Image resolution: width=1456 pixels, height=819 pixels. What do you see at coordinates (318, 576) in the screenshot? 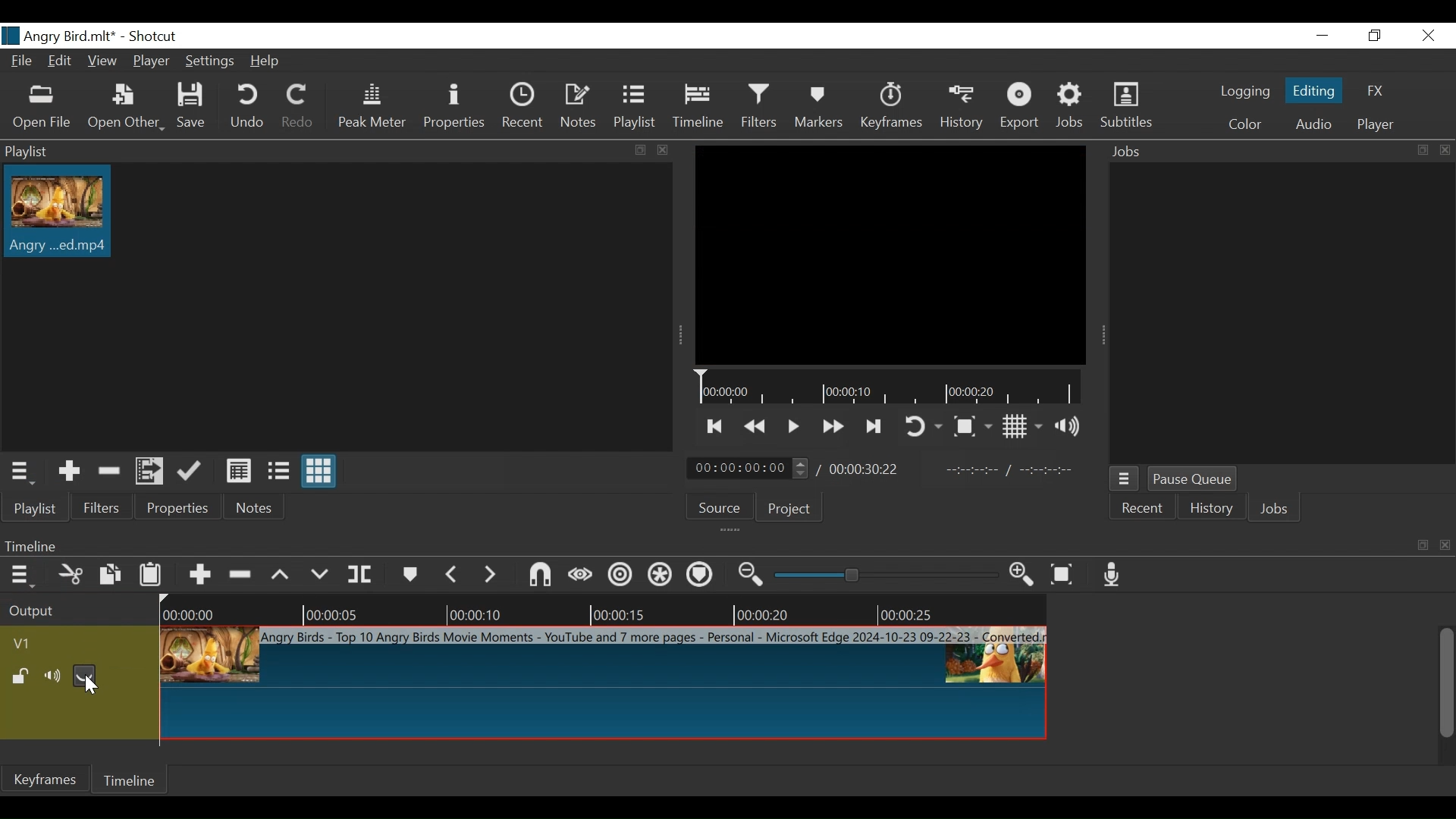
I see `Overwrite` at bounding box center [318, 576].